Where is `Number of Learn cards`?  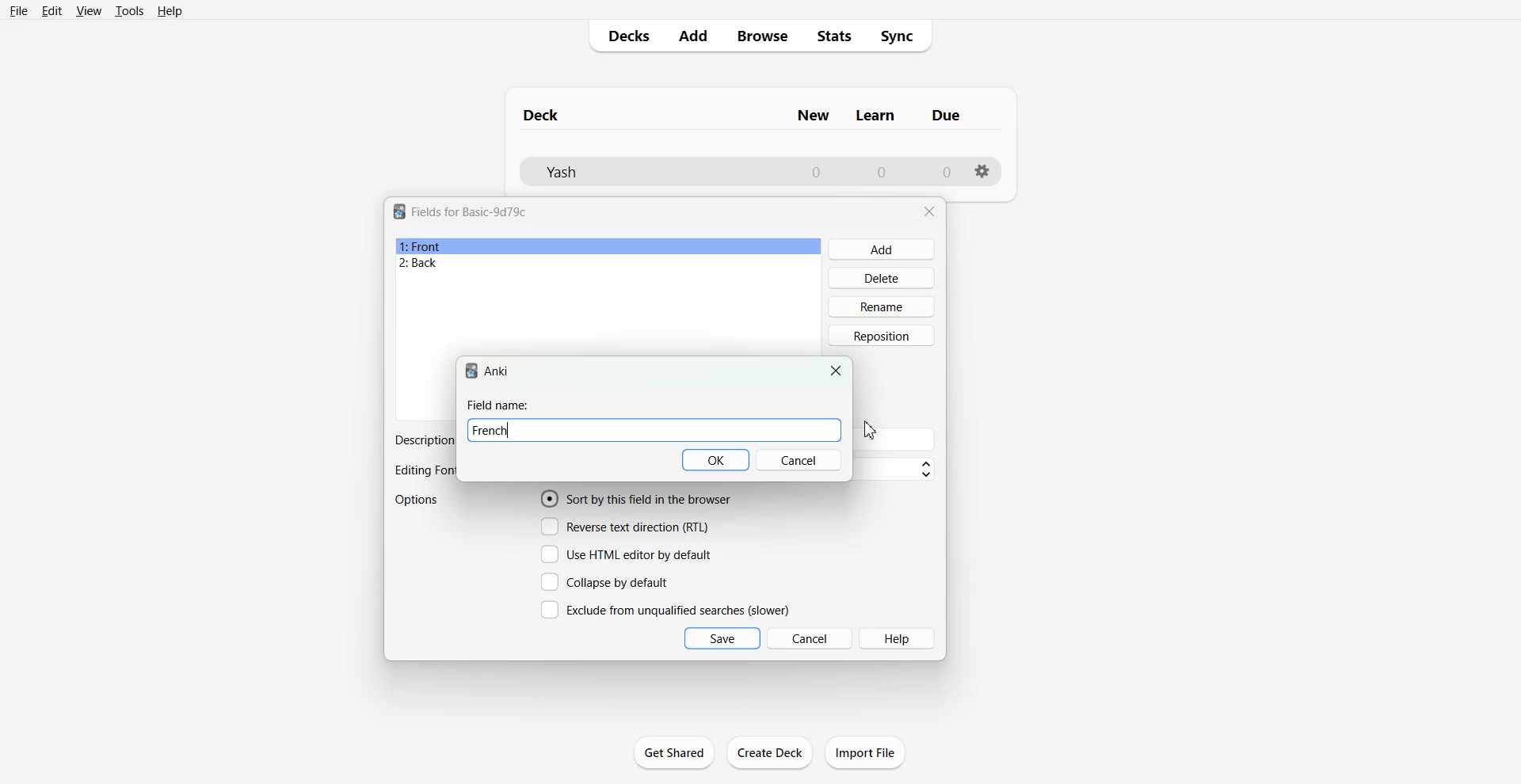
Number of Learn cards is located at coordinates (882, 171).